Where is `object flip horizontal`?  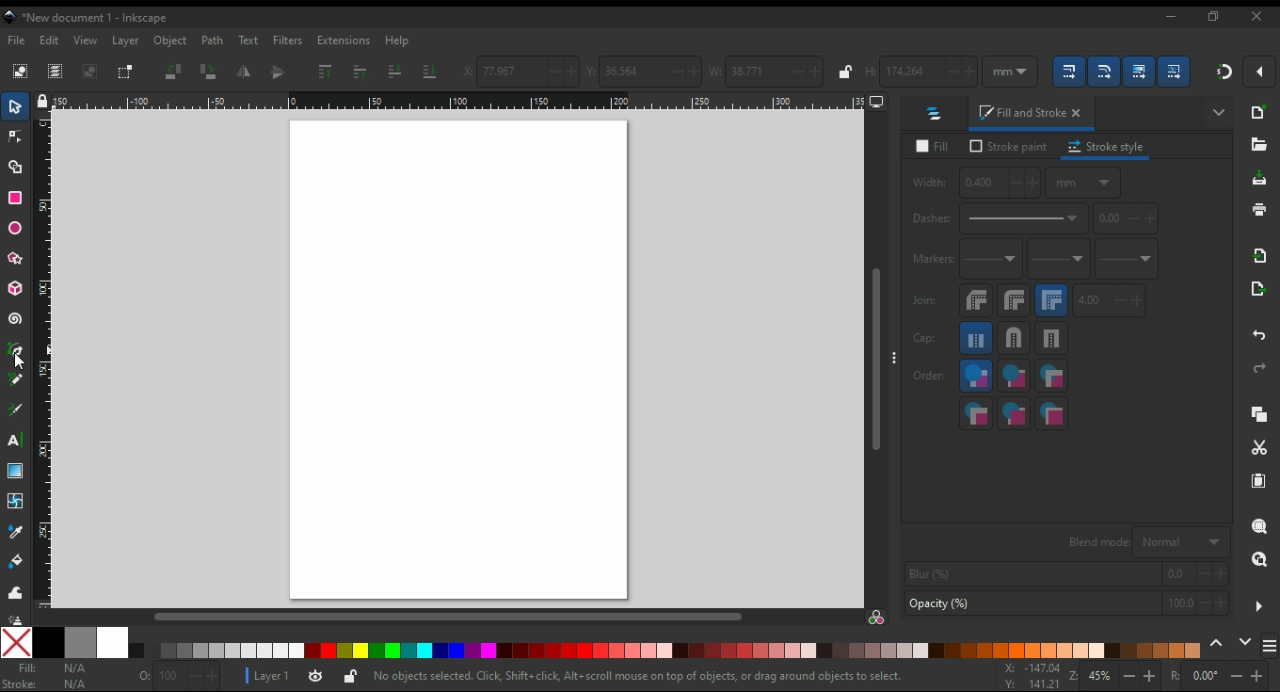
object flip horizontal is located at coordinates (245, 70).